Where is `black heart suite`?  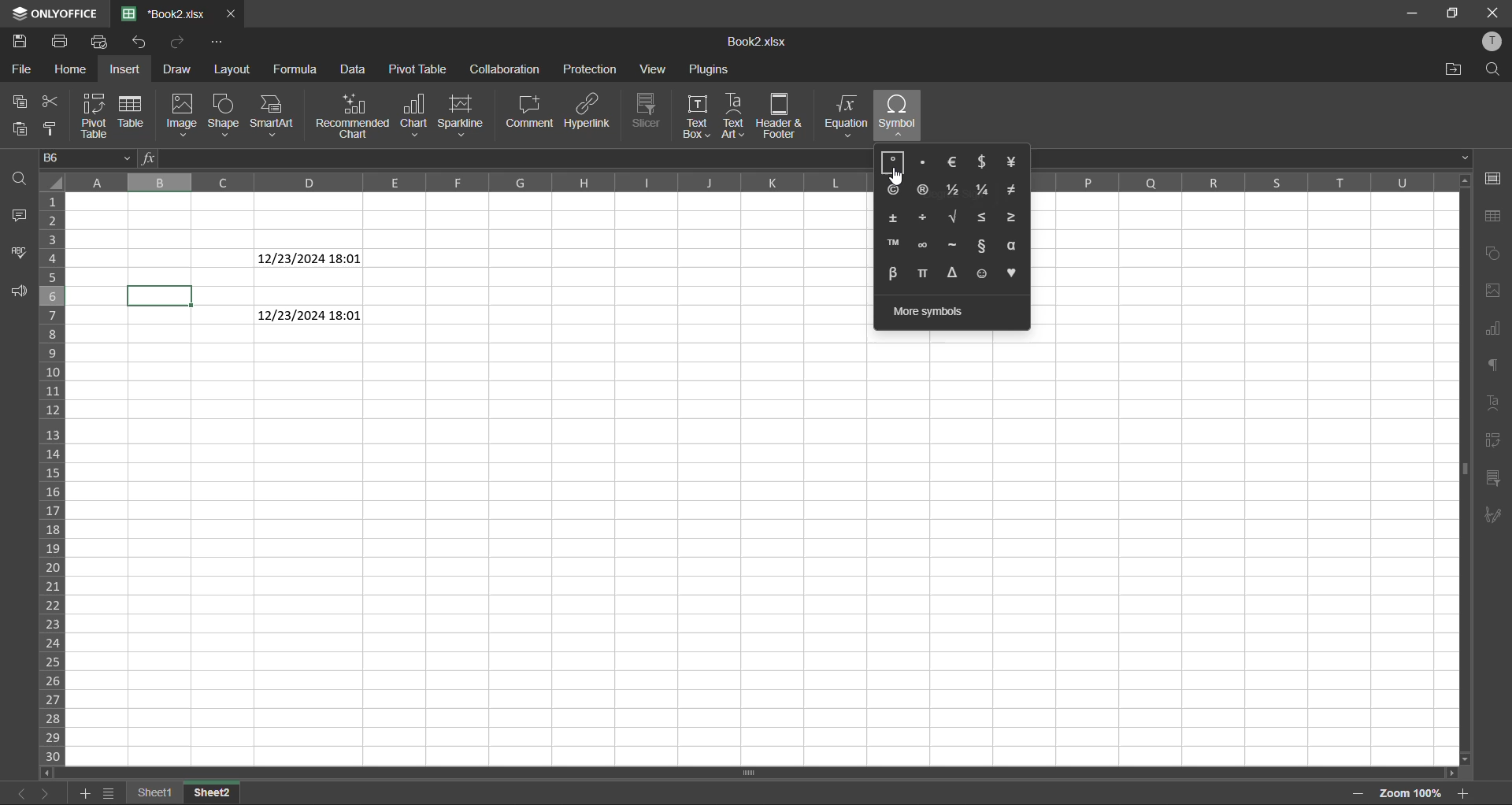
black heart suite is located at coordinates (1017, 273).